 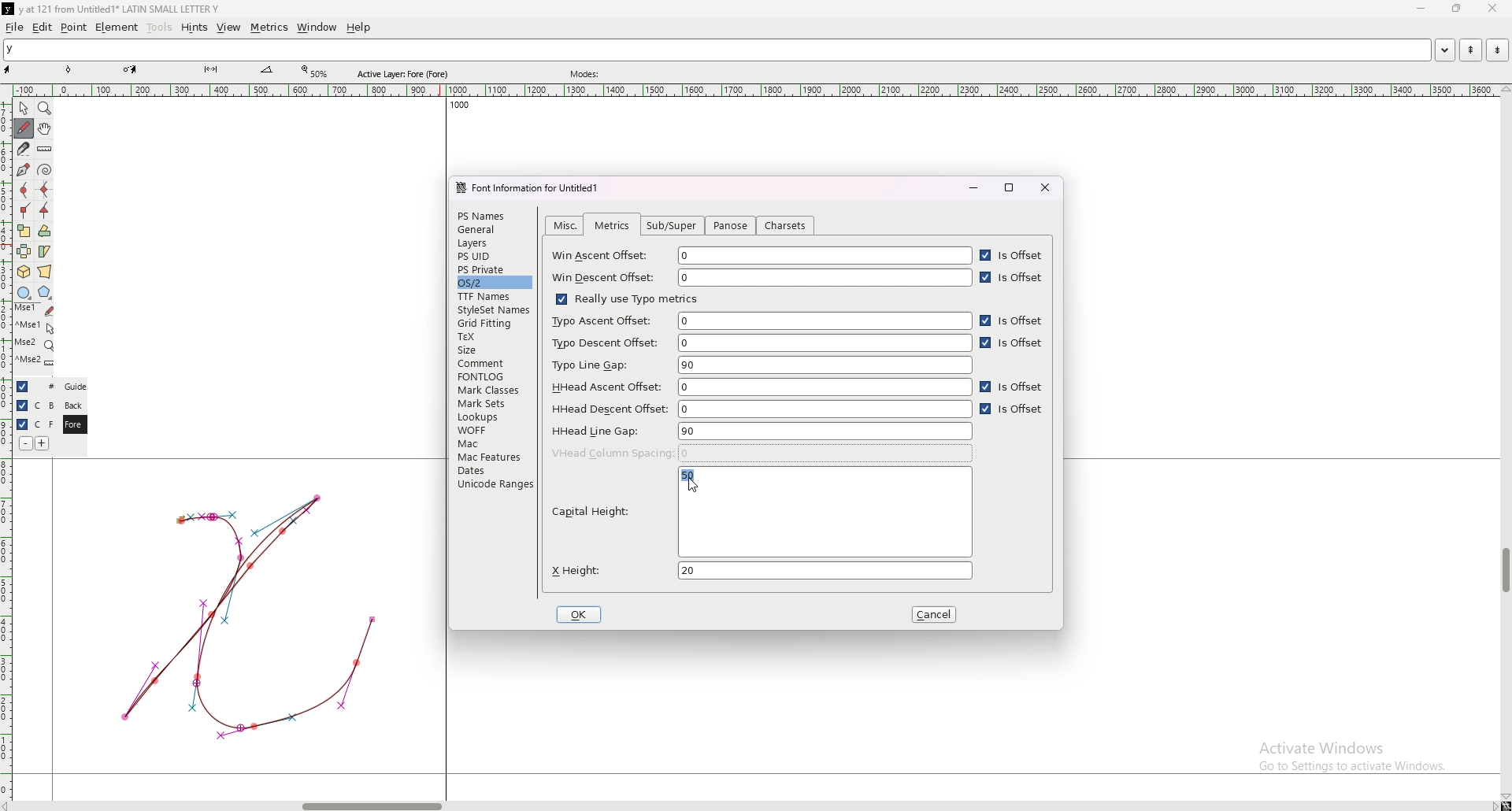 What do you see at coordinates (24, 251) in the screenshot?
I see `flip the selection` at bounding box center [24, 251].